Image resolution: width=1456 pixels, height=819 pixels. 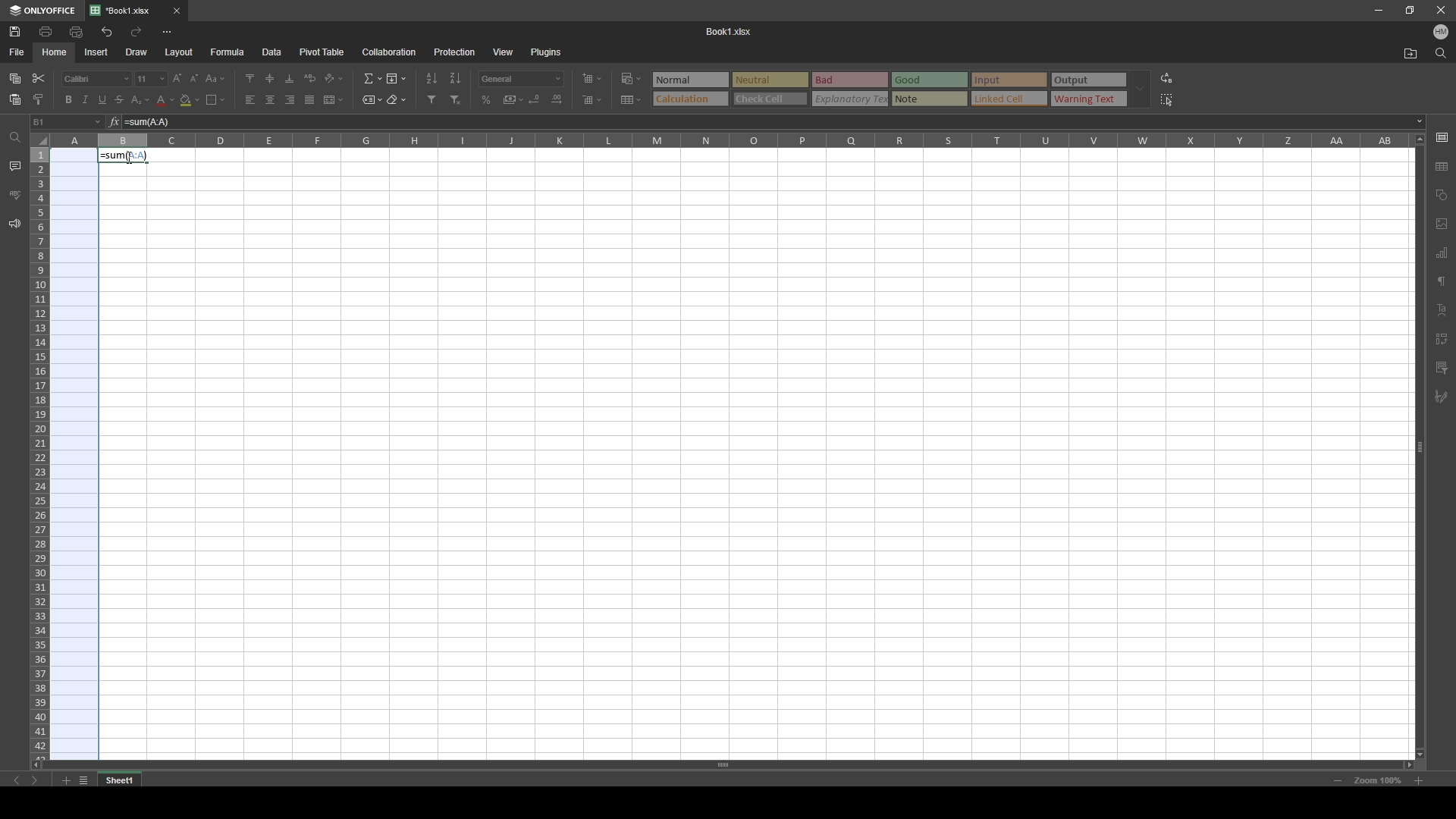 What do you see at coordinates (729, 140) in the screenshot?
I see `column` at bounding box center [729, 140].